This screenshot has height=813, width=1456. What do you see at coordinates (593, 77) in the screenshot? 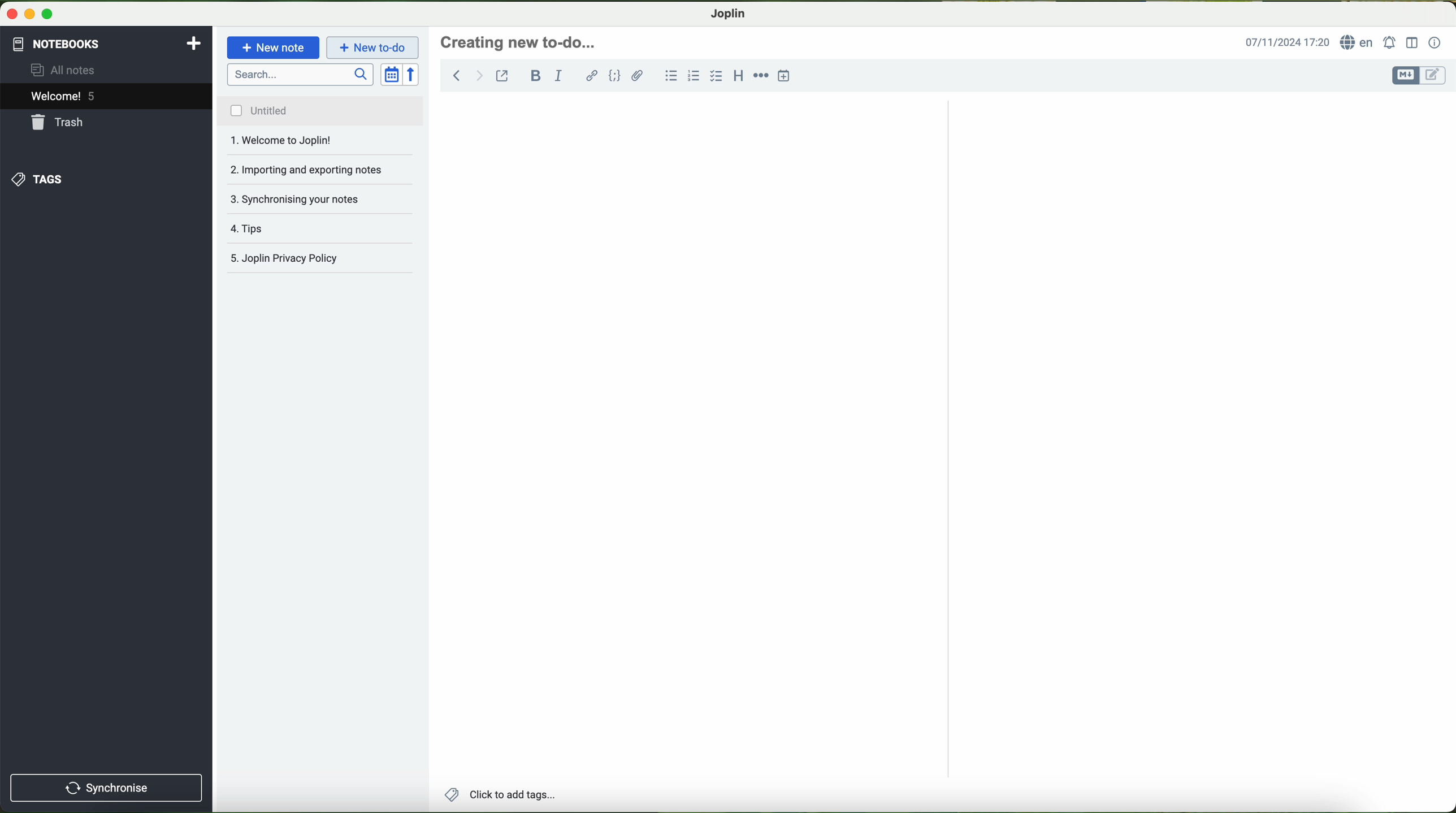
I see `hyperlink` at bounding box center [593, 77].